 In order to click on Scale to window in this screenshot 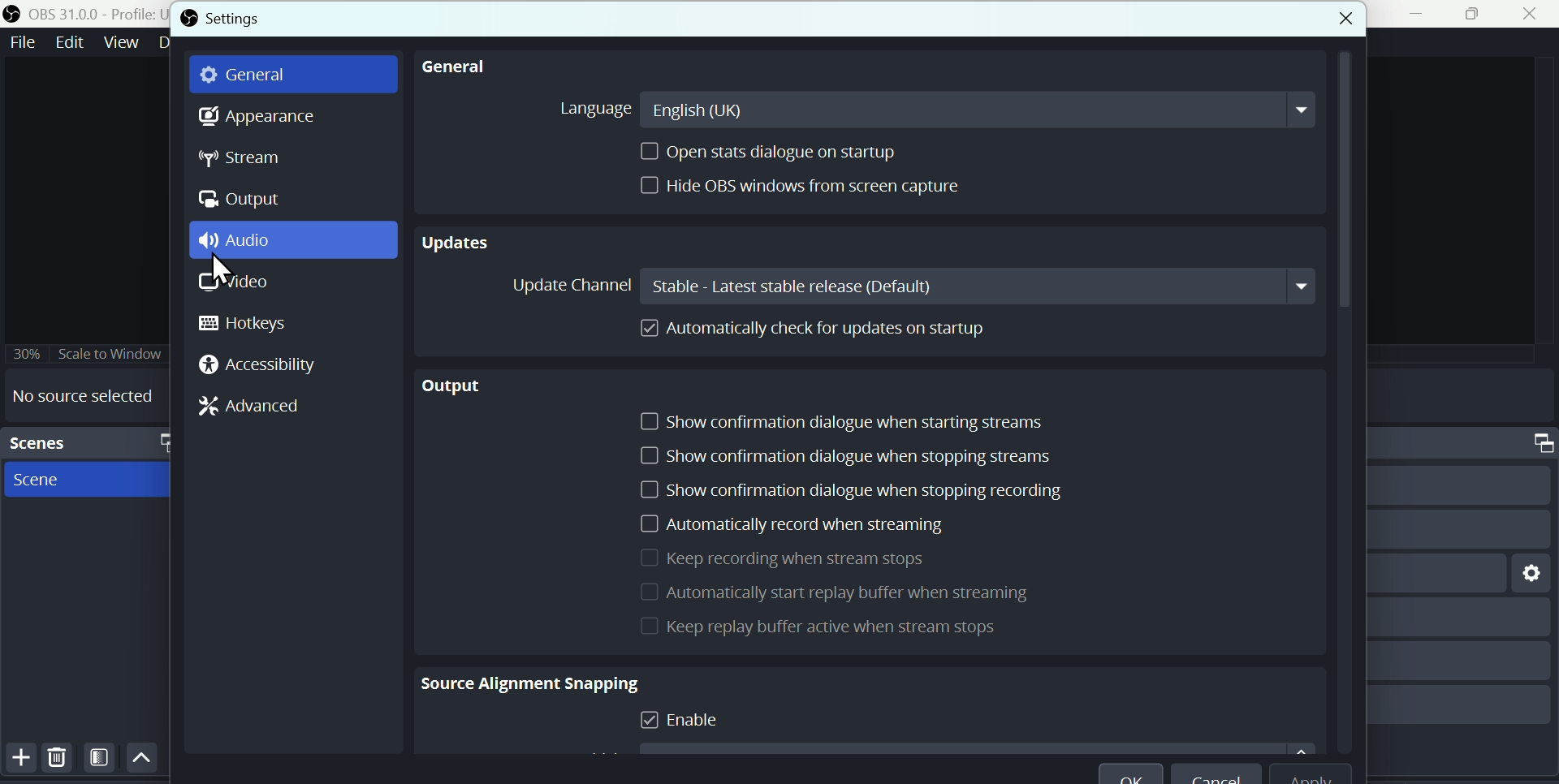, I will do `click(113, 353)`.